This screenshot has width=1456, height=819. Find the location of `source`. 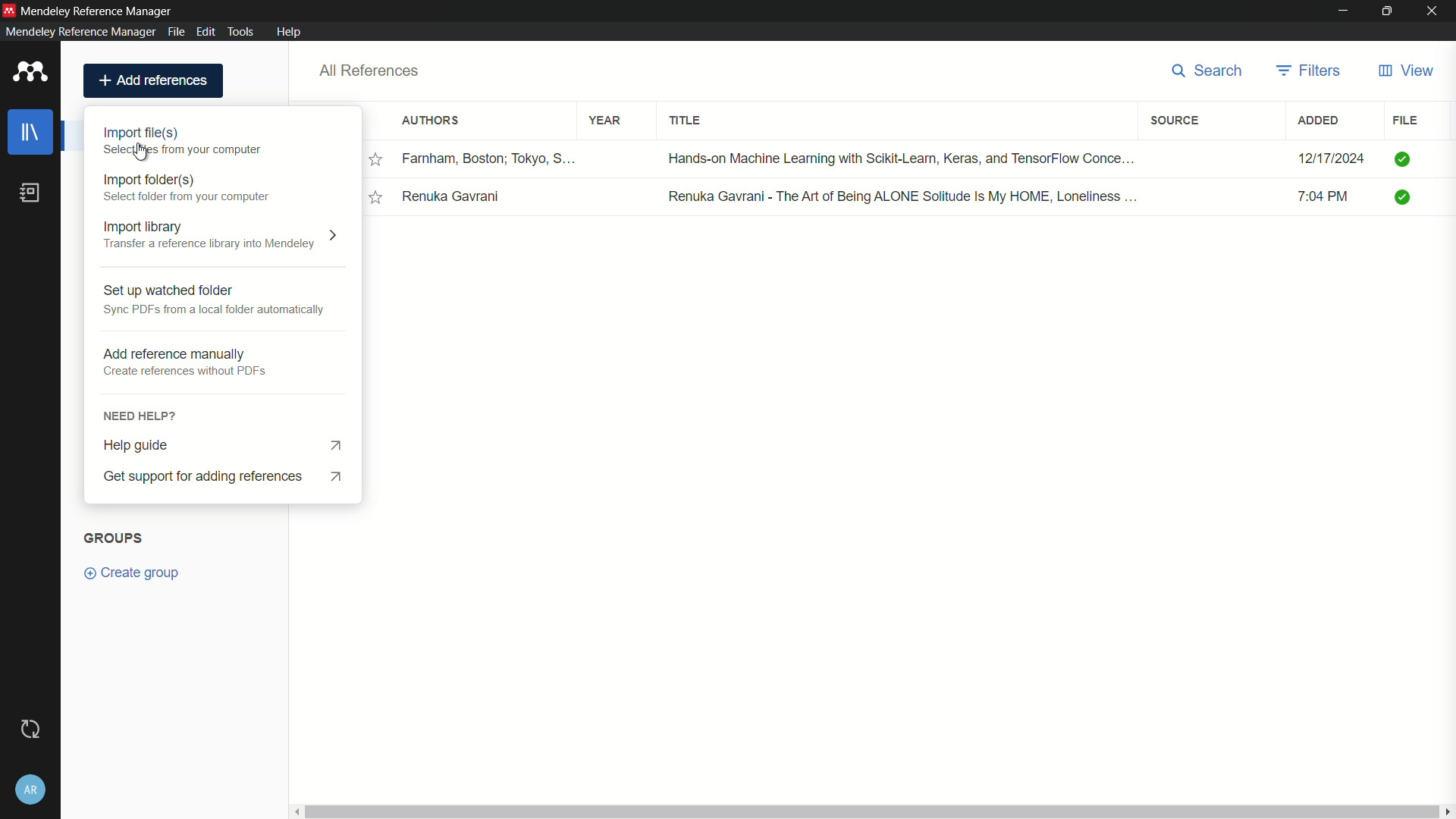

source is located at coordinates (1178, 121).